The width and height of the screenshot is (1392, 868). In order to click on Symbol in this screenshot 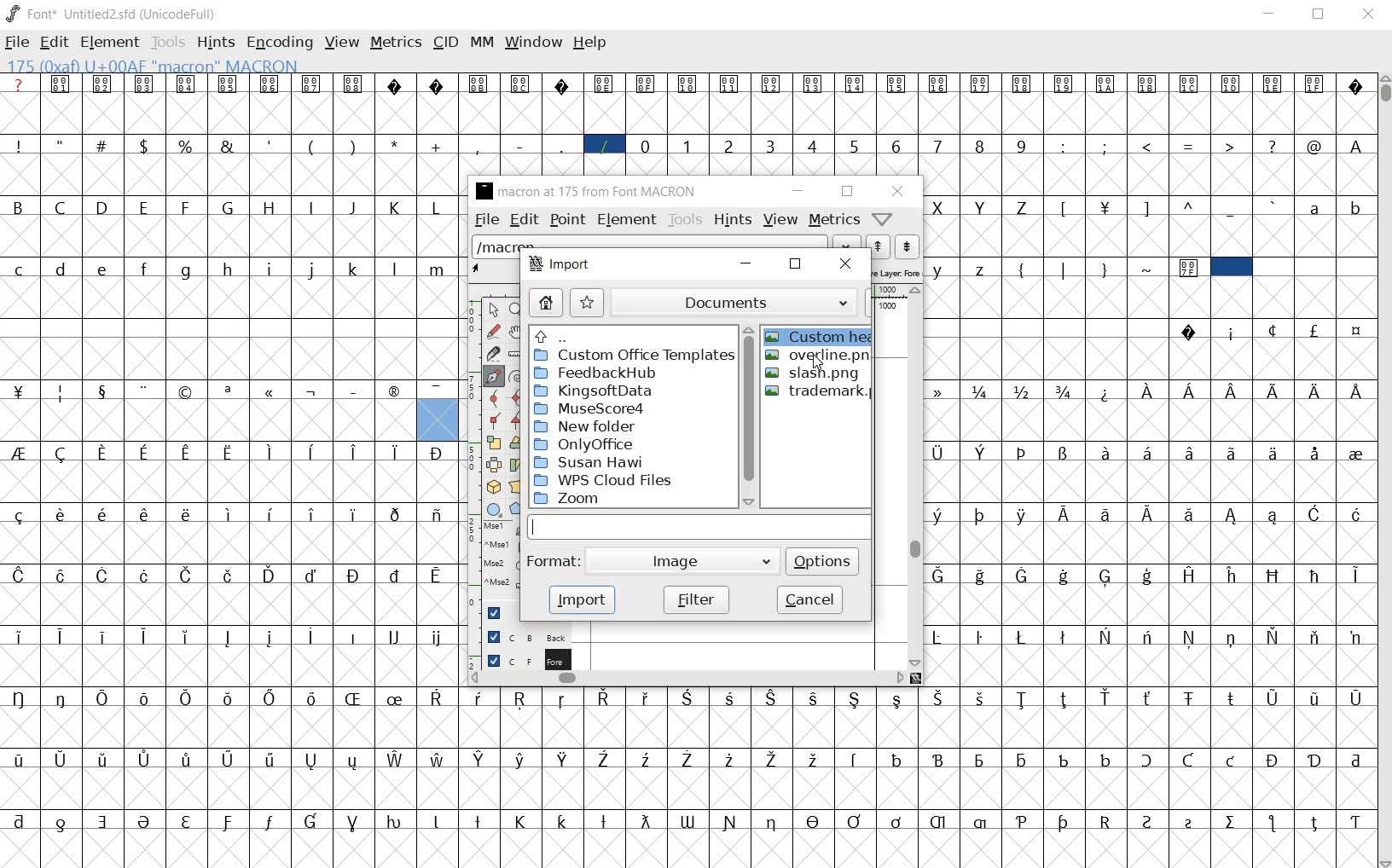, I will do `click(354, 575)`.